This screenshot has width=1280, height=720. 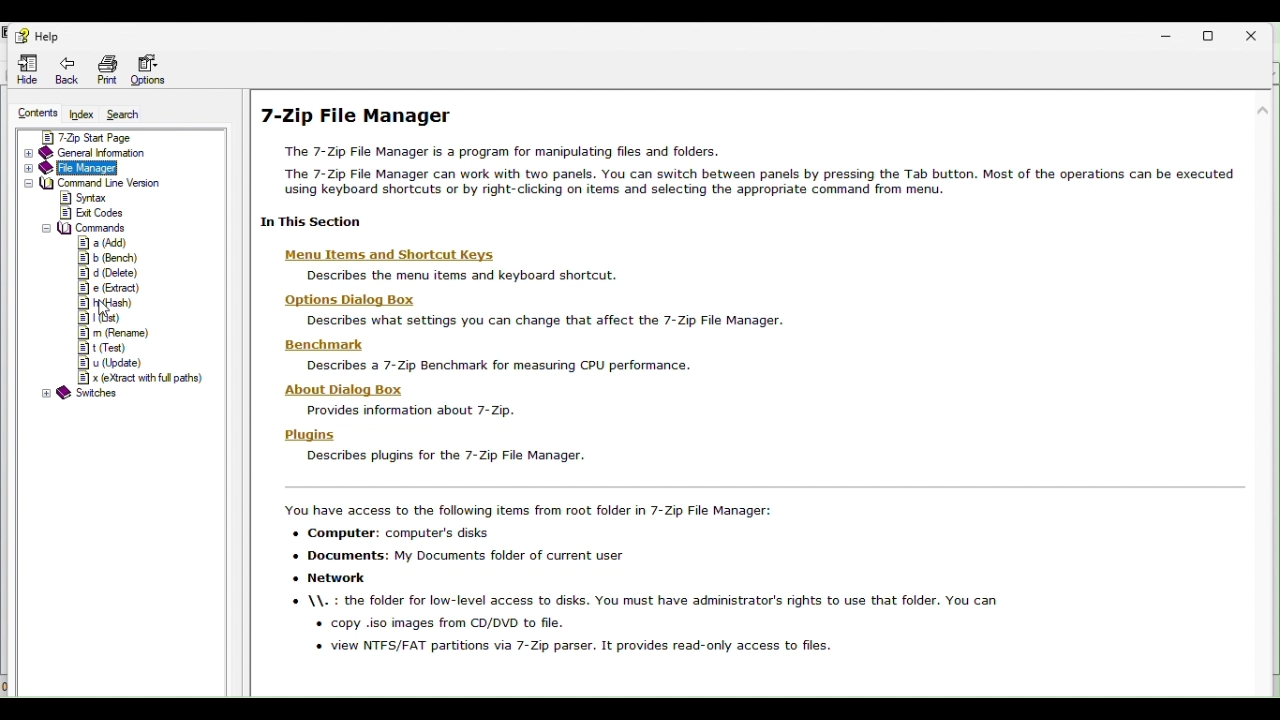 What do you see at coordinates (139, 379) in the screenshot?
I see `e(extract with full path)` at bounding box center [139, 379].